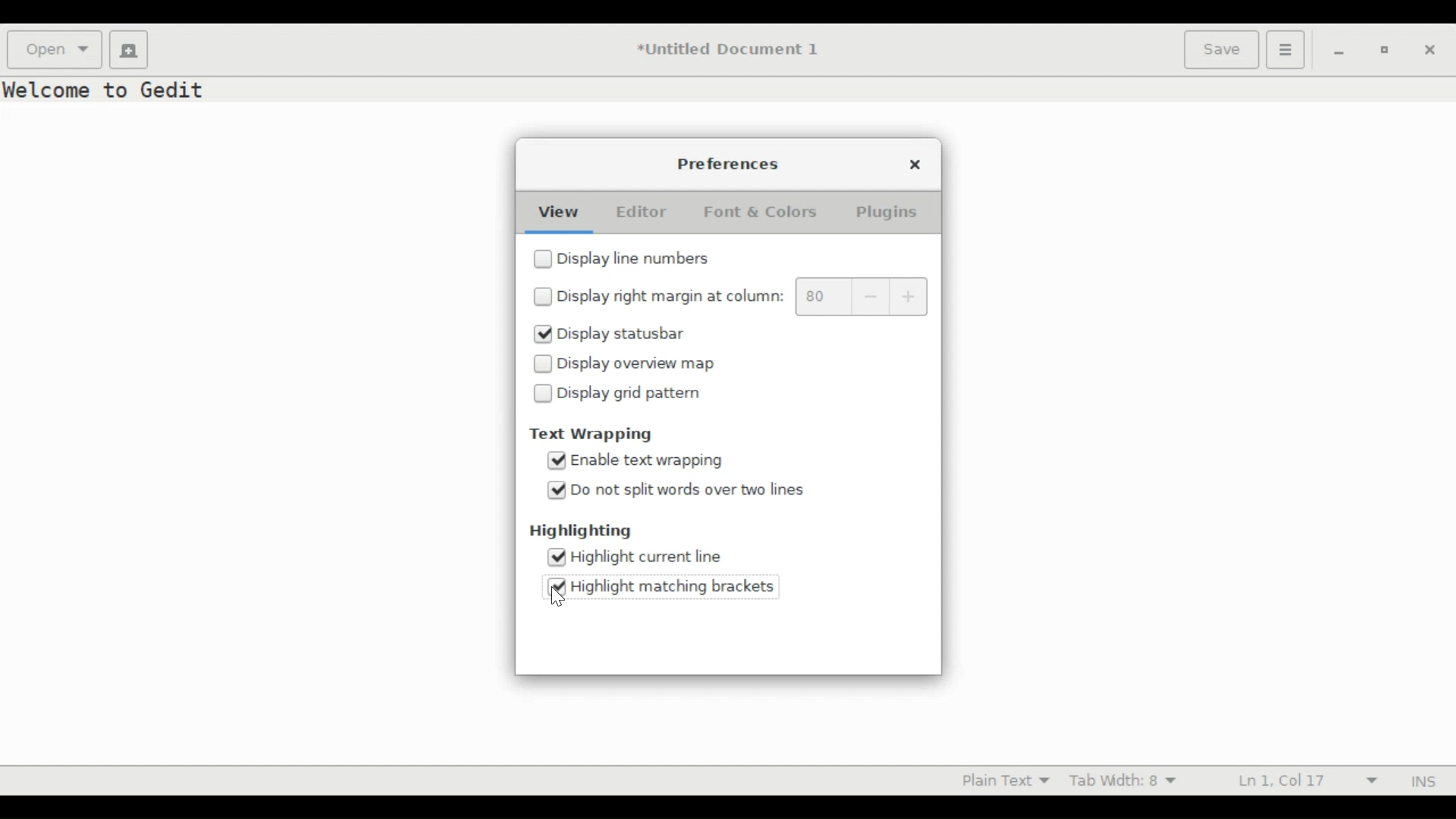 The width and height of the screenshot is (1456, 819). What do you see at coordinates (1336, 50) in the screenshot?
I see `minimize` at bounding box center [1336, 50].